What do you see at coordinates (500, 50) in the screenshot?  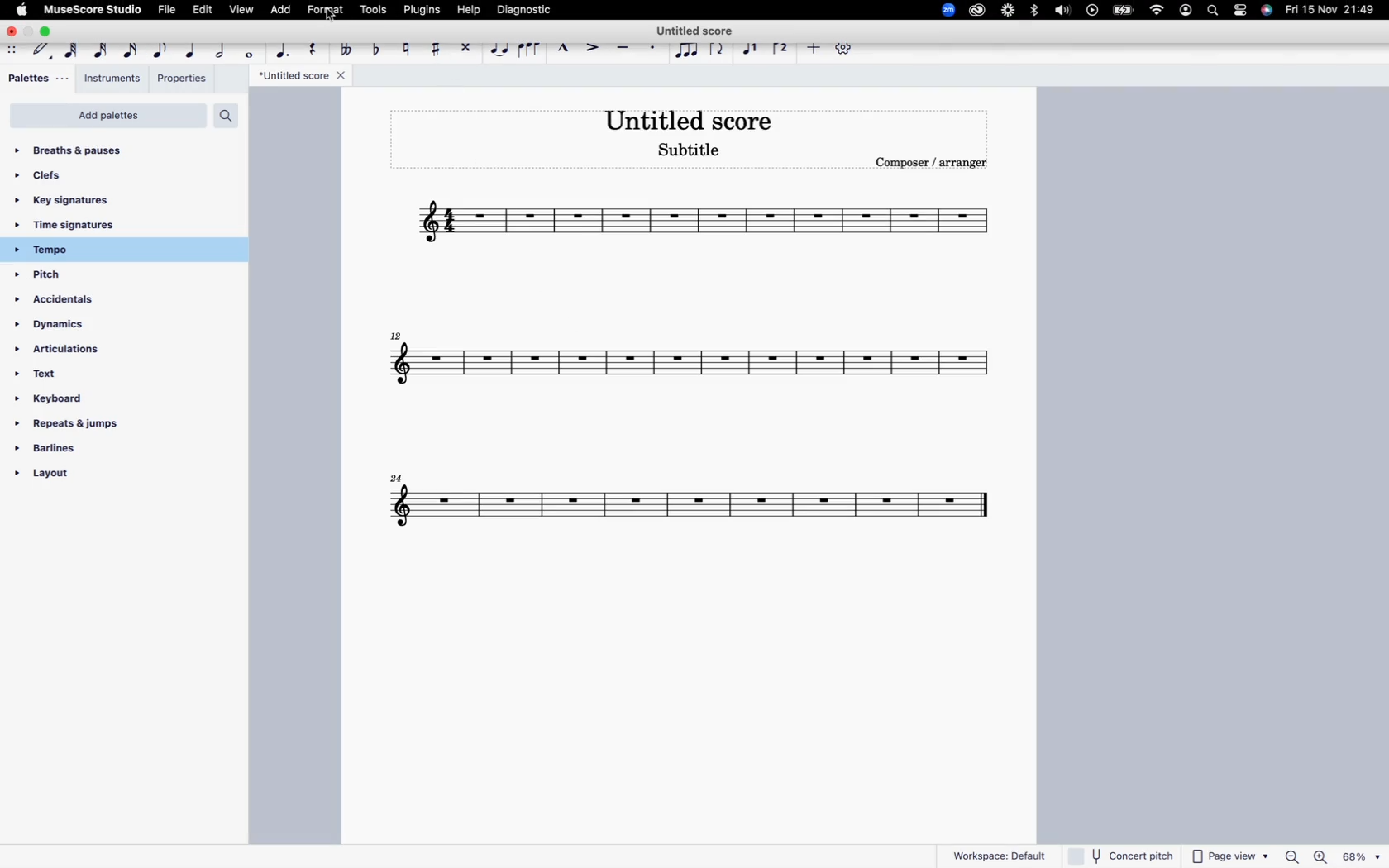 I see `tie` at bounding box center [500, 50].